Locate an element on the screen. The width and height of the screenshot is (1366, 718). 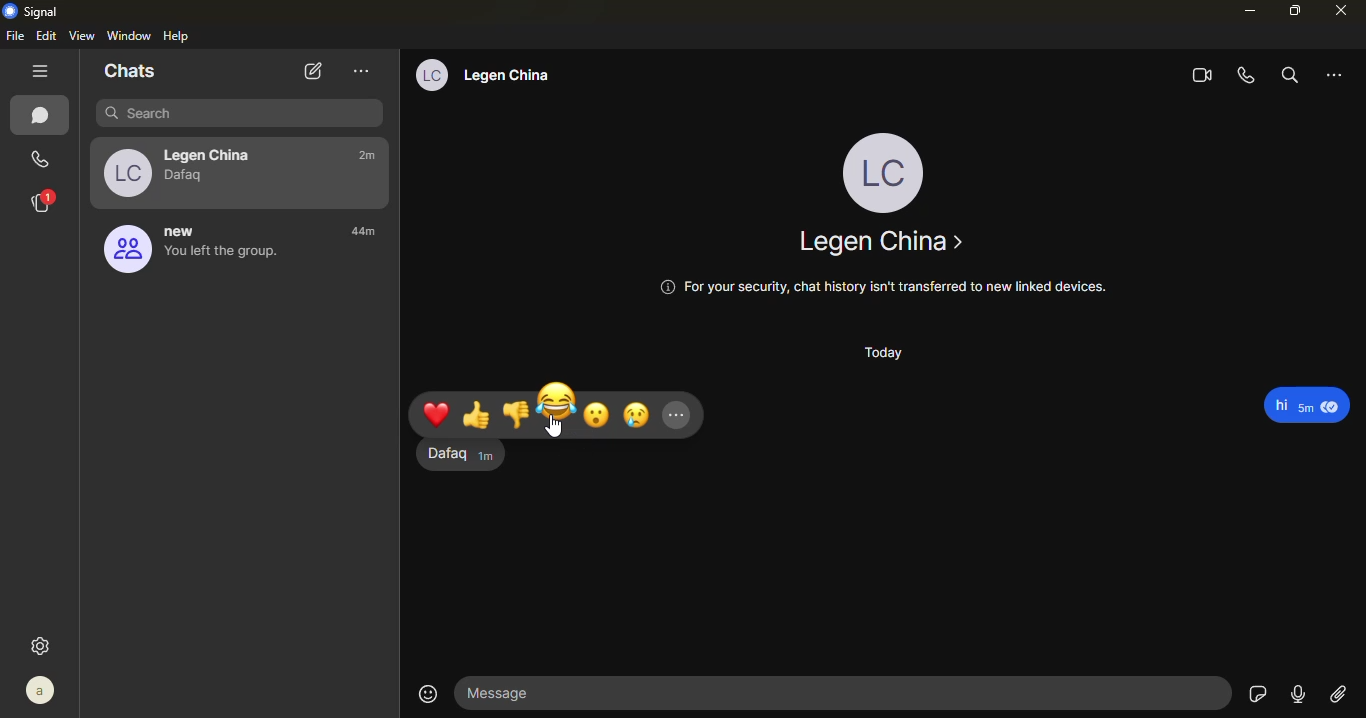
Legan china- is located at coordinates (213, 151).